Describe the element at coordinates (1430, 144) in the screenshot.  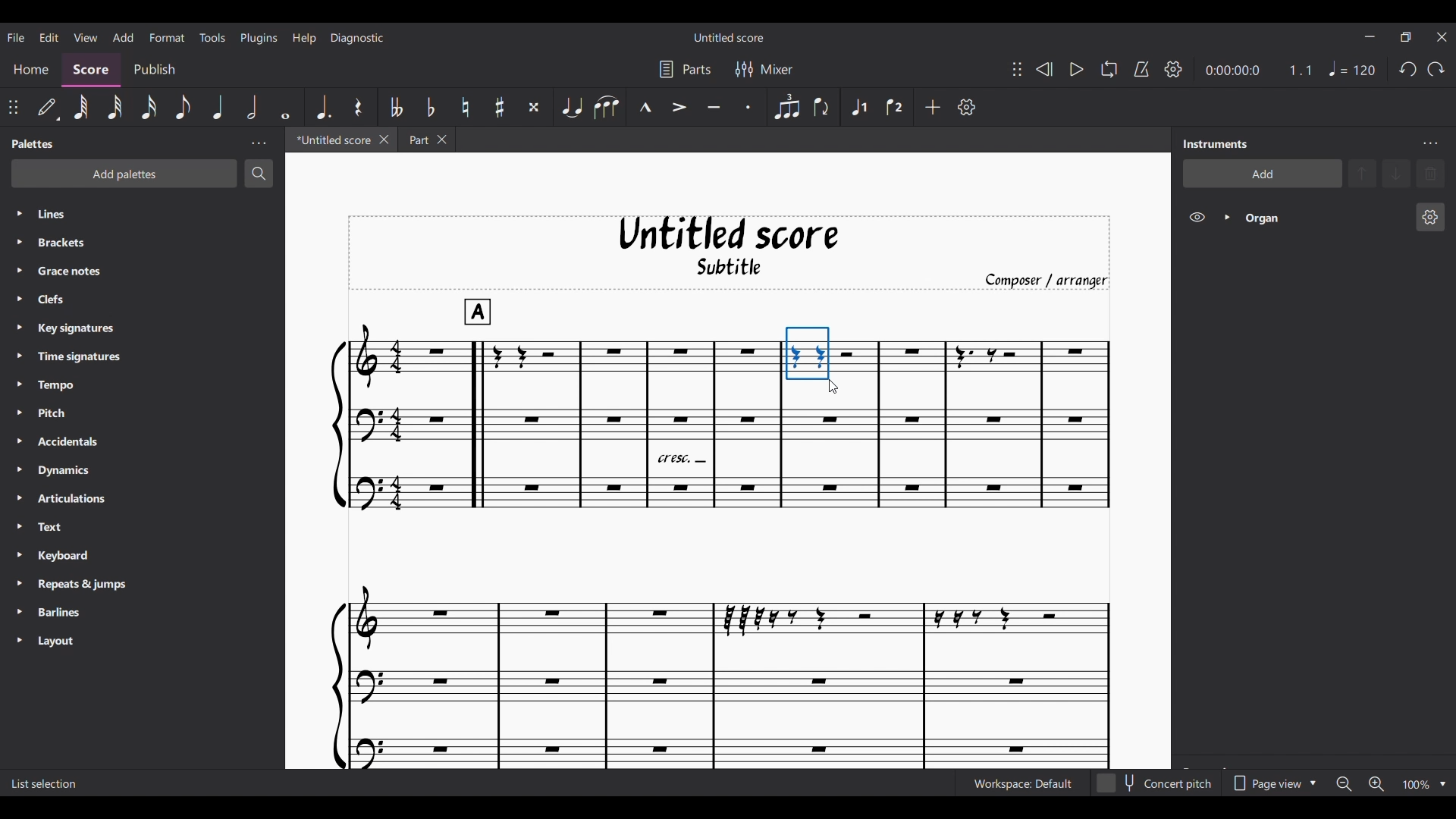
I see `Instrument panel settings` at that location.